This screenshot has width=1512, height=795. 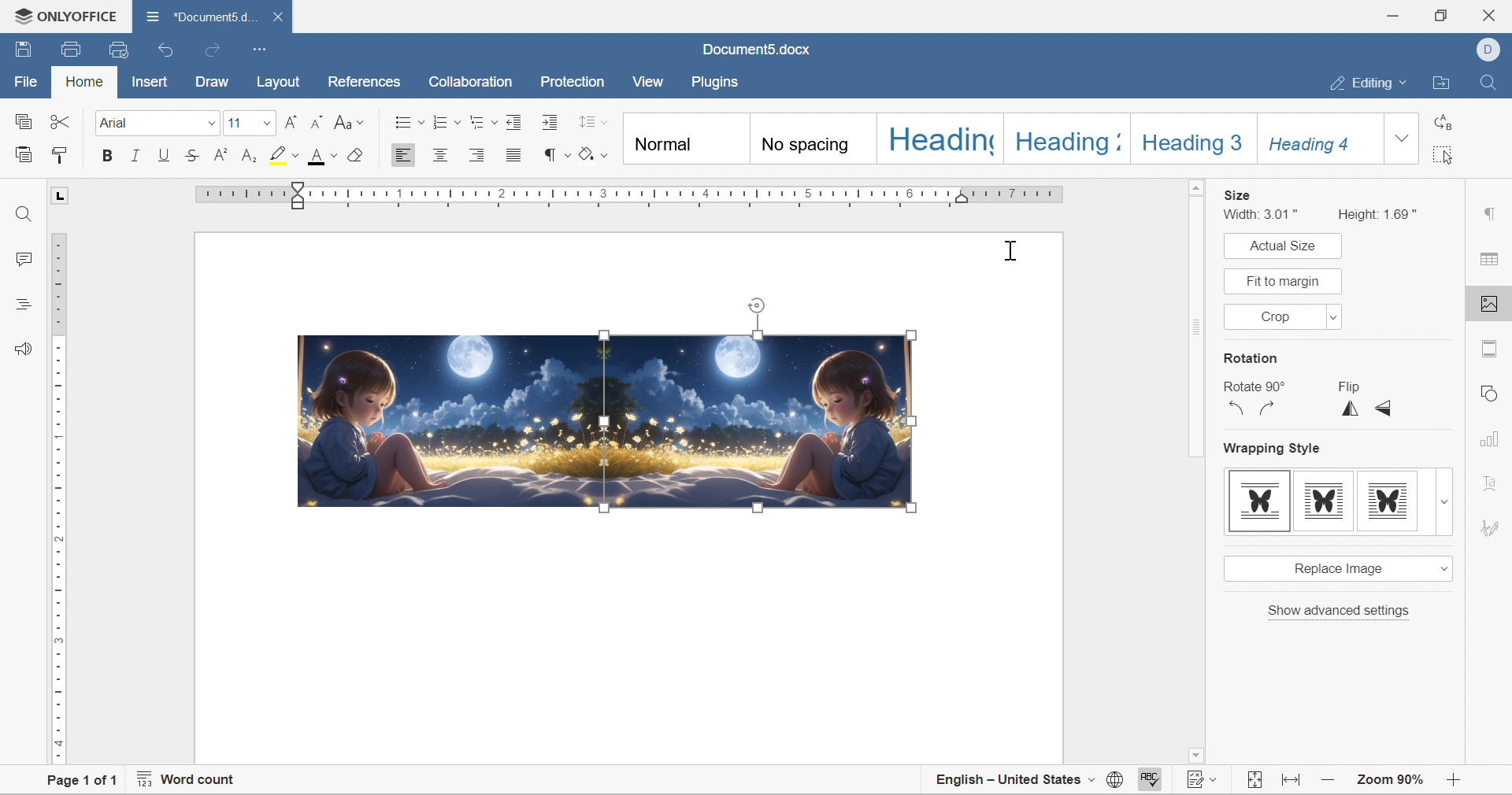 I want to click on Height: 1.69, so click(x=1380, y=213).